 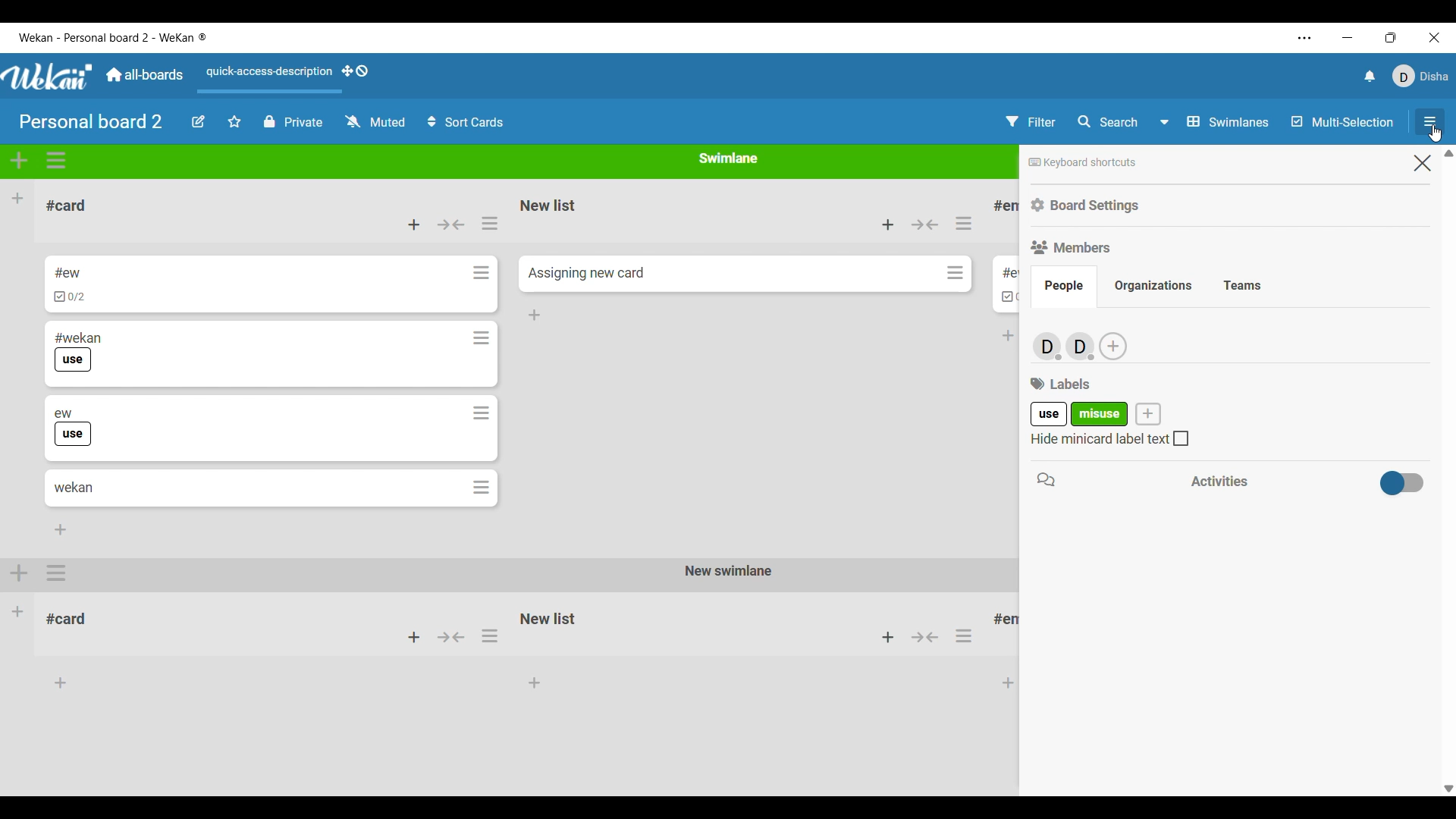 I want to click on Participants in current board, so click(x=1063, y=345).